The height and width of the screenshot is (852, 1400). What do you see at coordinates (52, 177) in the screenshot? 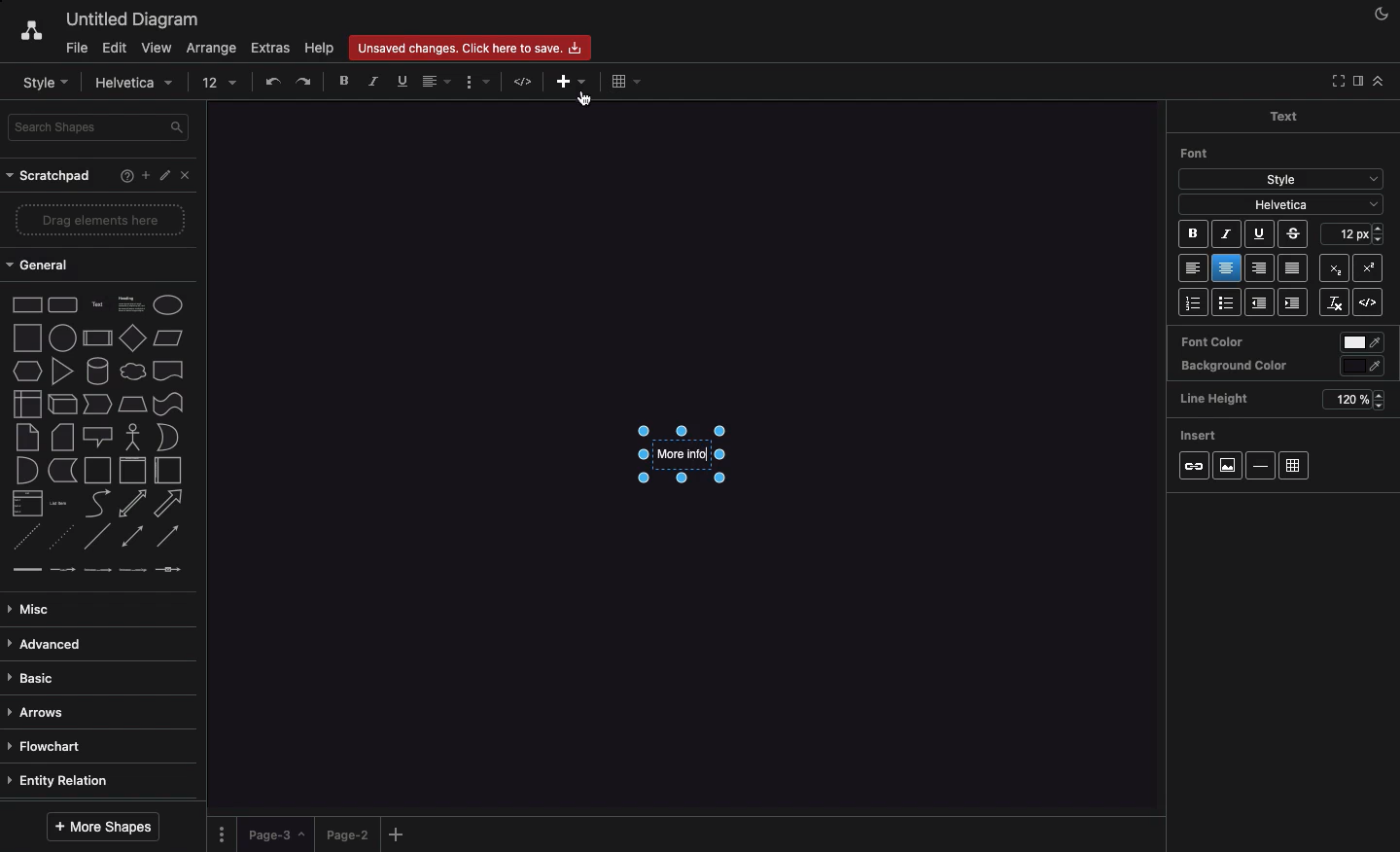
I see `Scratchpad` at bounding box center [52, 177].